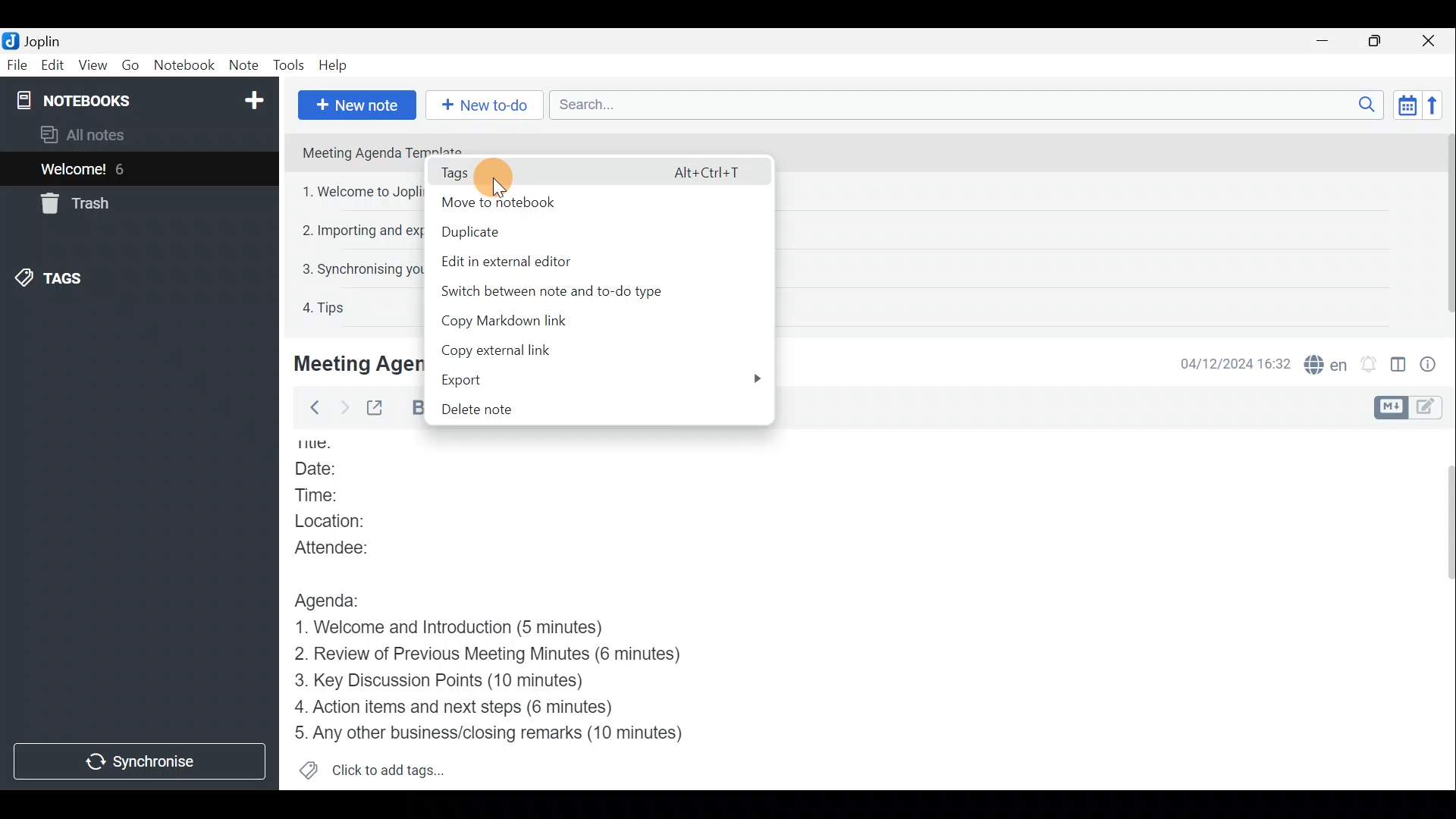 This screenshot has width=1456, height=819. I want to click on Any other business/closing remarks (10 minutes), so click(494, 732).